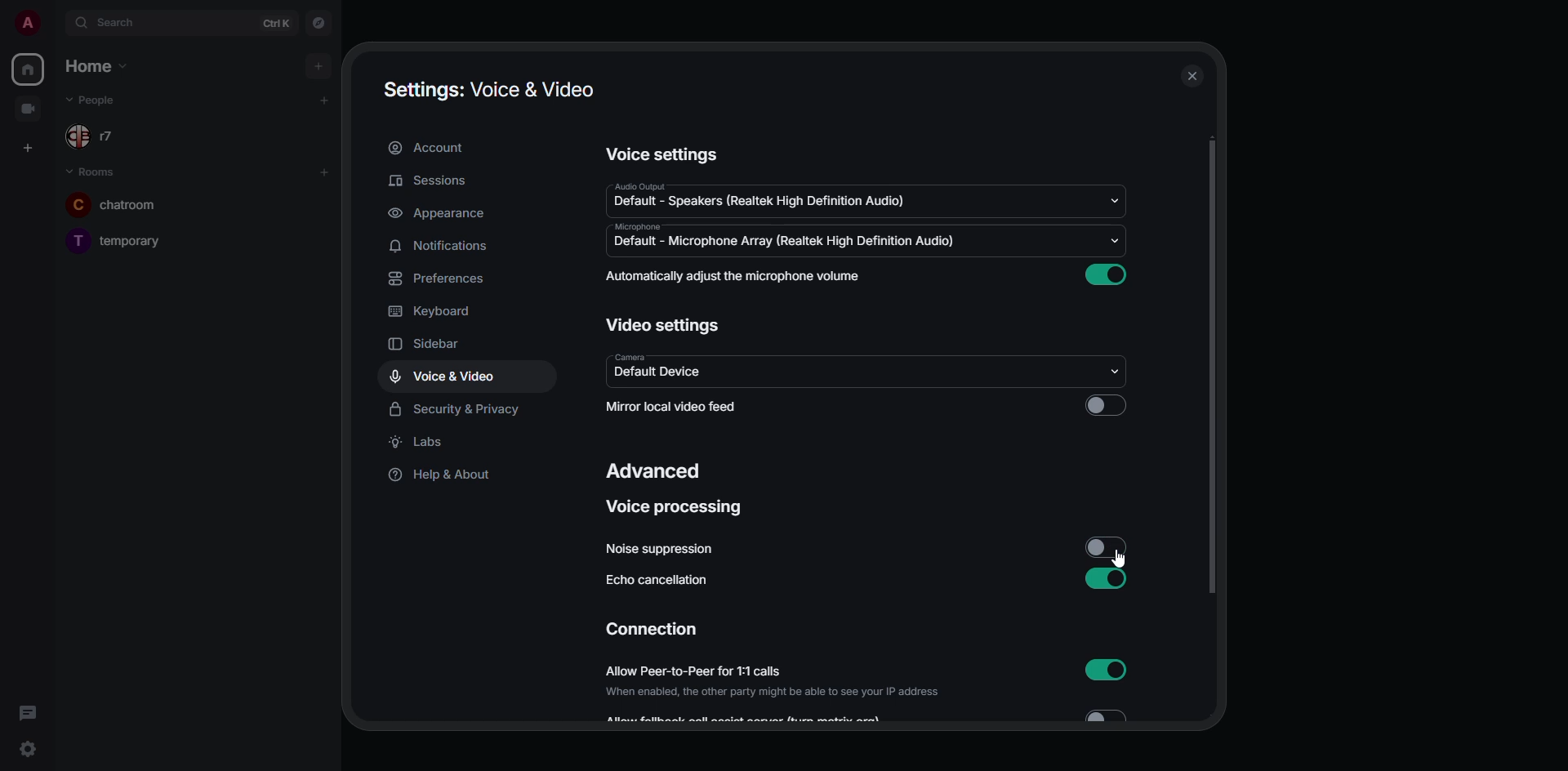 Image resolution: width=1568 pixels, height=771 pixels. Describe the element at coordinates (429, 182) in the screenshot. I see `sessions` at that location.